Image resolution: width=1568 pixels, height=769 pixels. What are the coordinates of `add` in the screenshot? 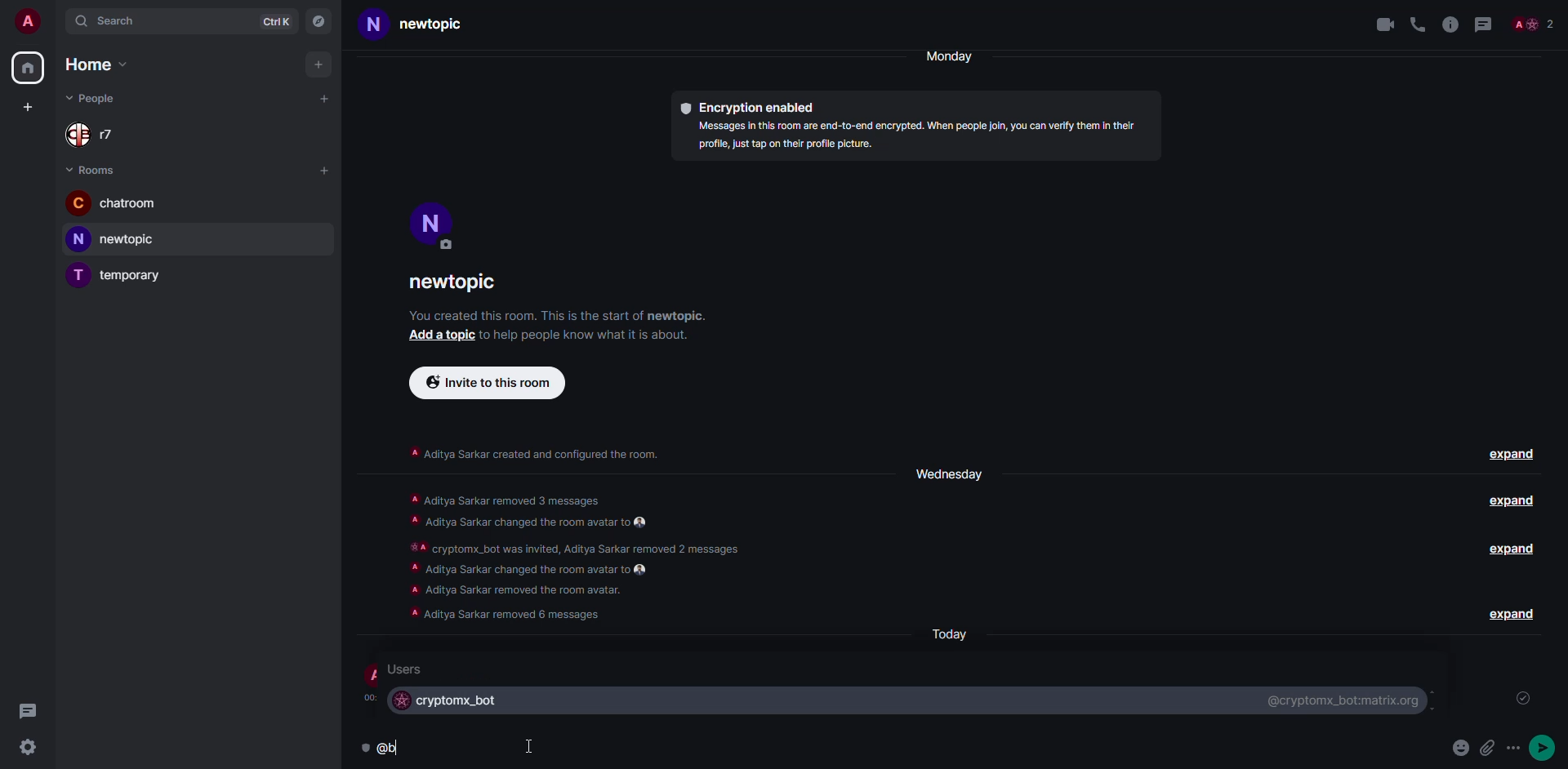 It's located at (317, 64).